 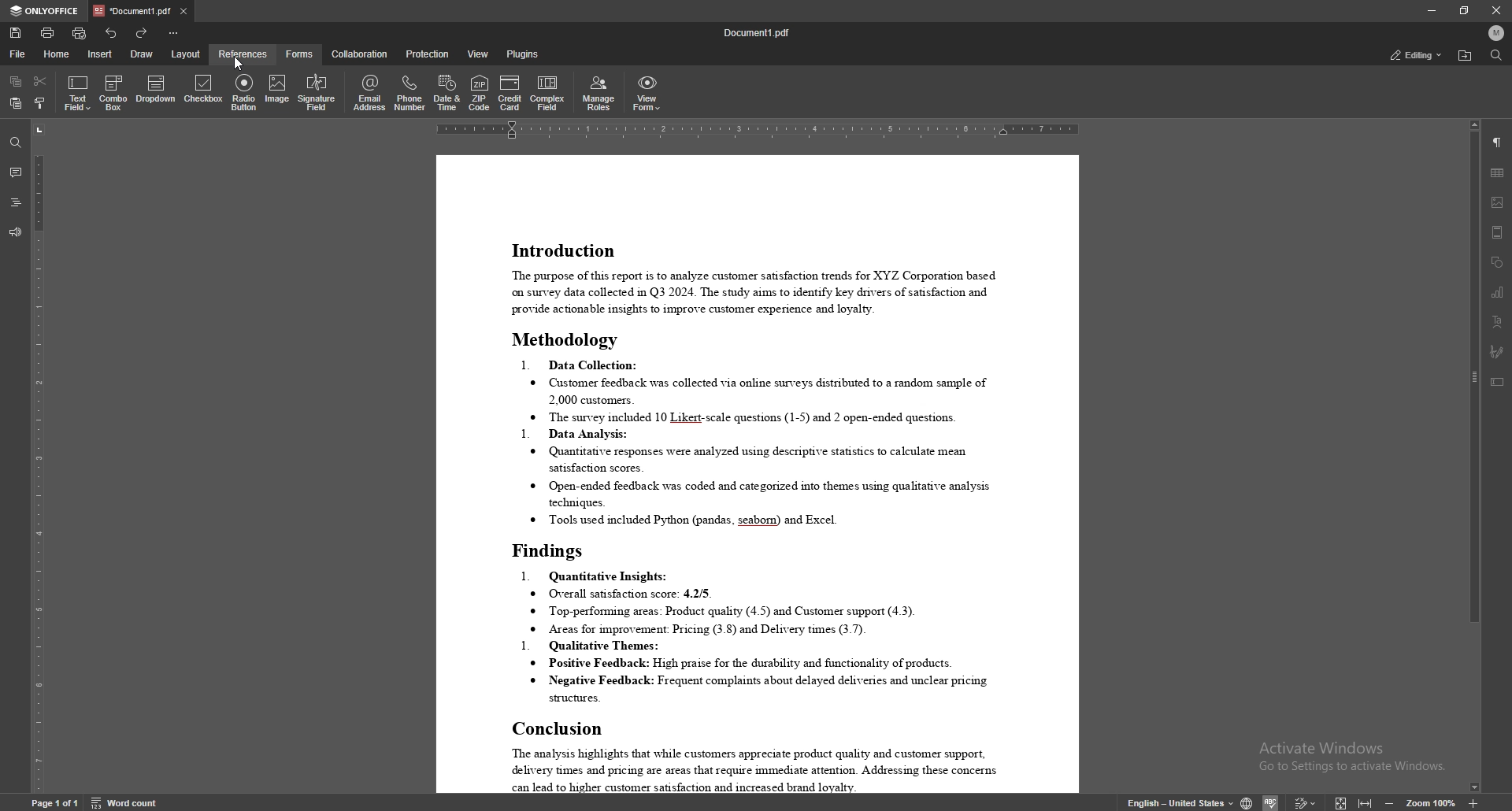 What do you see at coordinates (427, 54) in the screenshot?
I see `protection` at bounding box center [427, 54].